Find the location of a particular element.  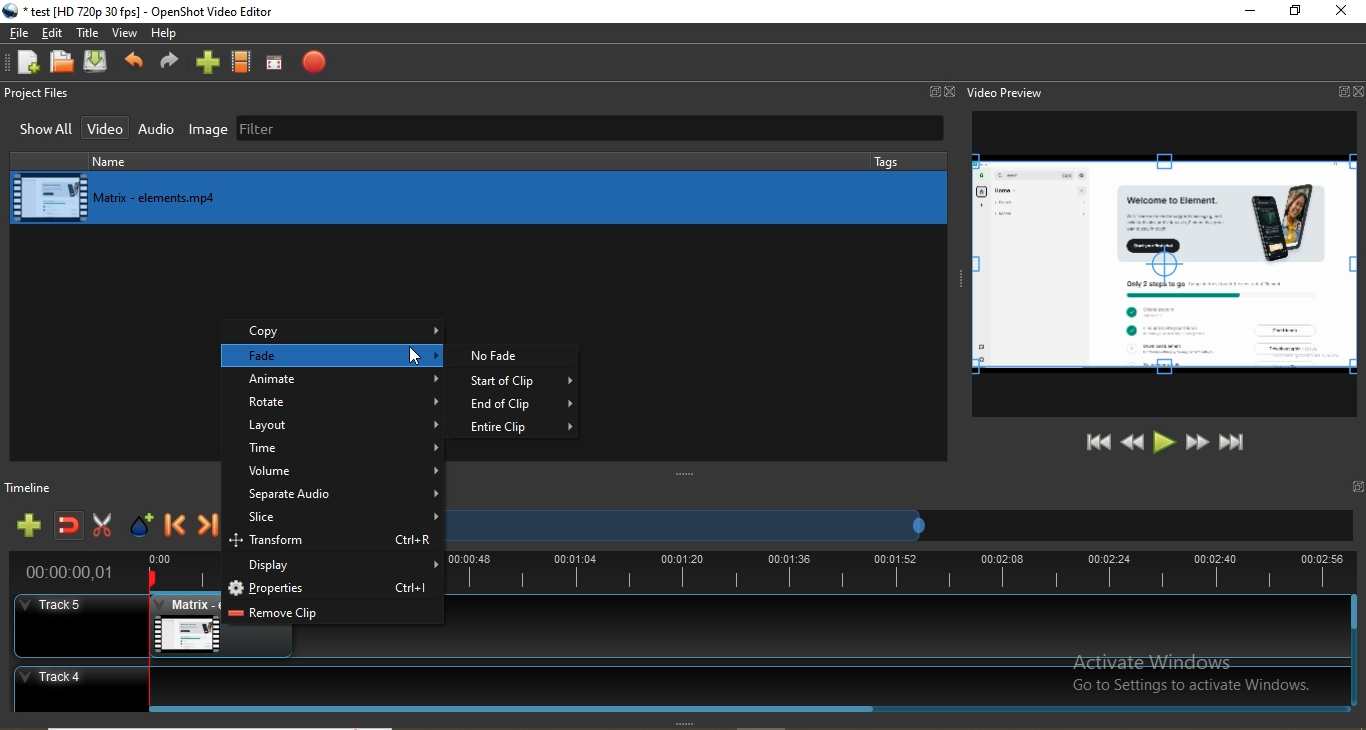

Undo is located at coordinates (136, 63).